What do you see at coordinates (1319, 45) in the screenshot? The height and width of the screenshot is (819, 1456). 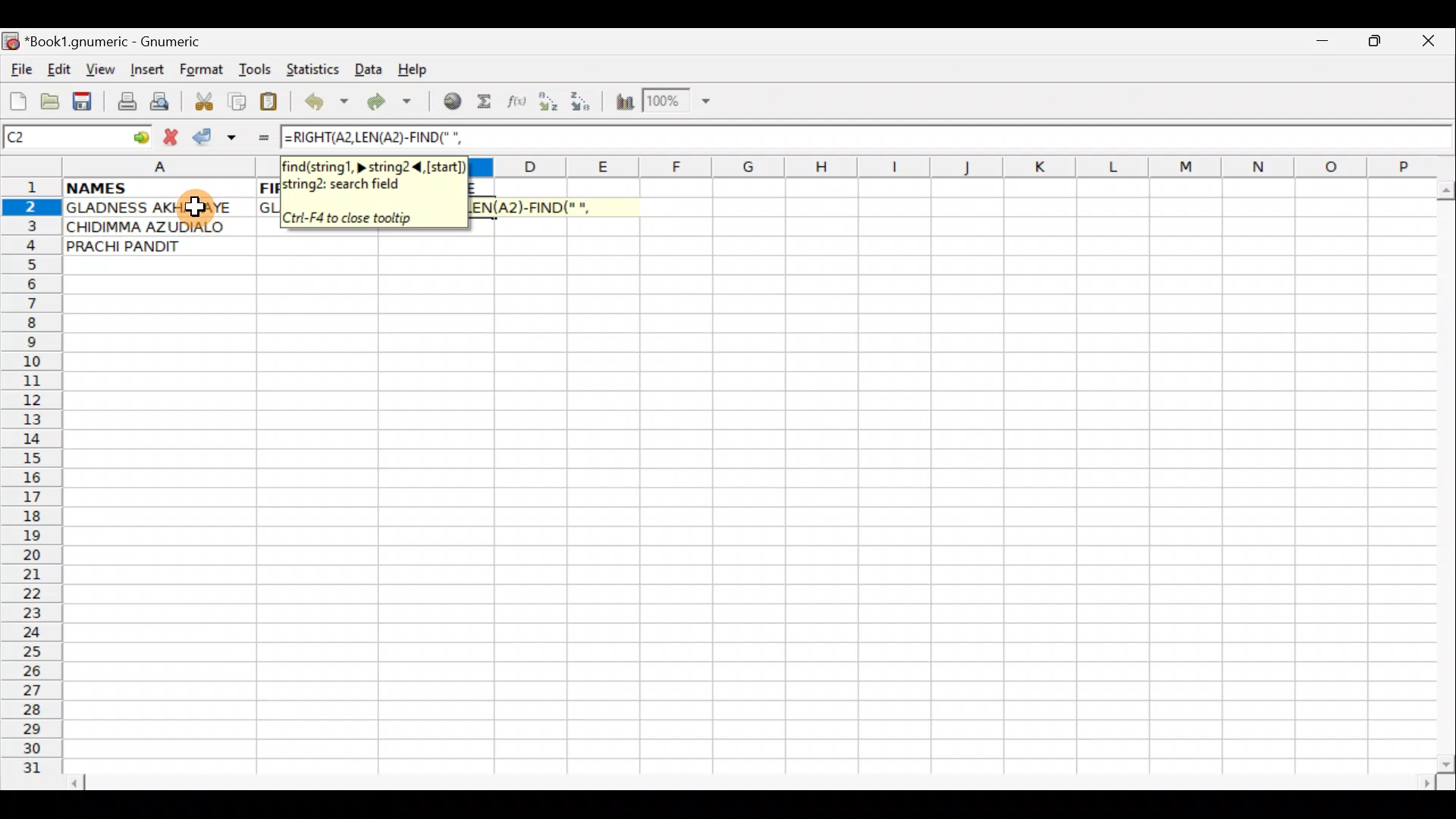 I see `Minimize` at bounding box center [1319, 45].